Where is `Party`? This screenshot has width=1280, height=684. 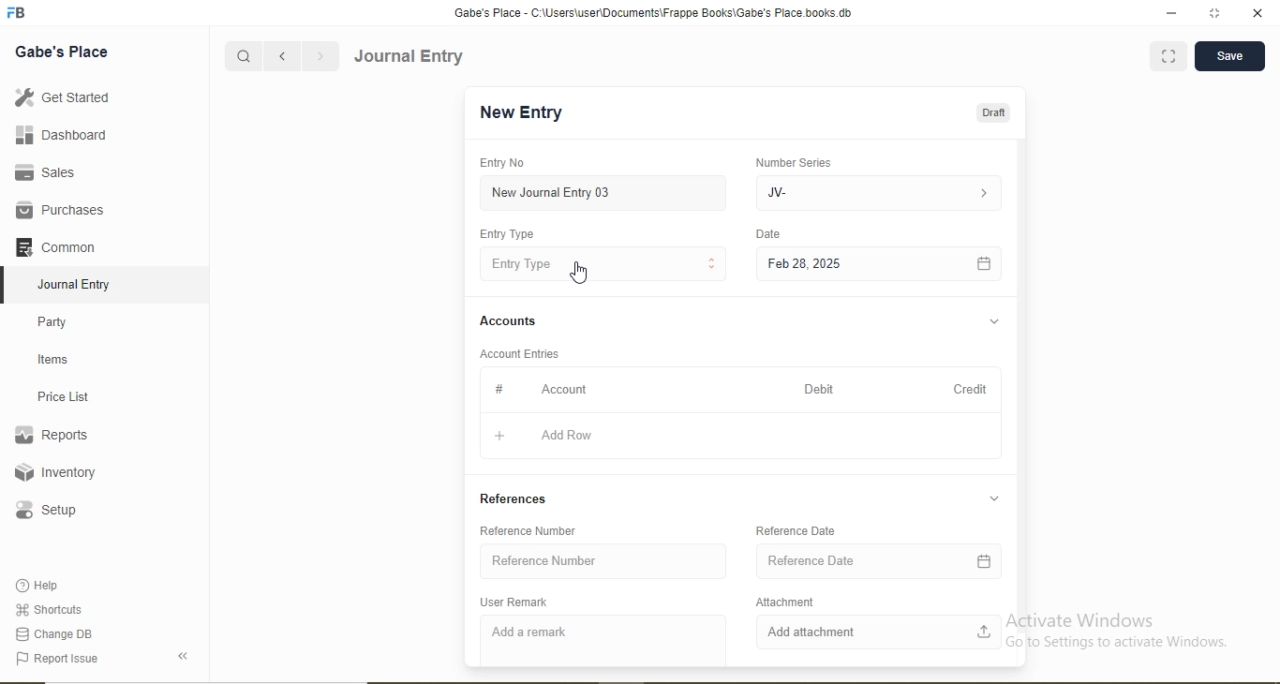 Party is located at coordinates (53, 324).